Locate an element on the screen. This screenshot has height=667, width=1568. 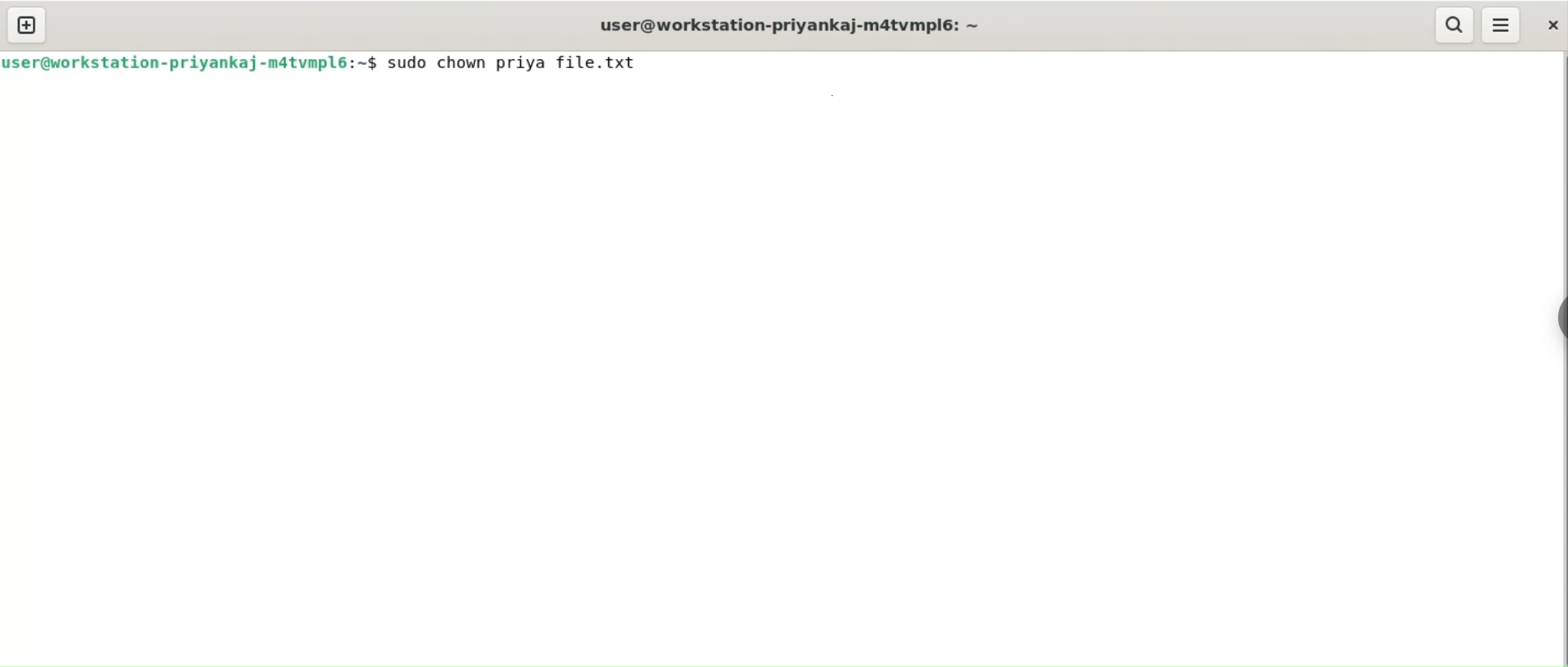
sidebar is located at coordinates (1558, 315).